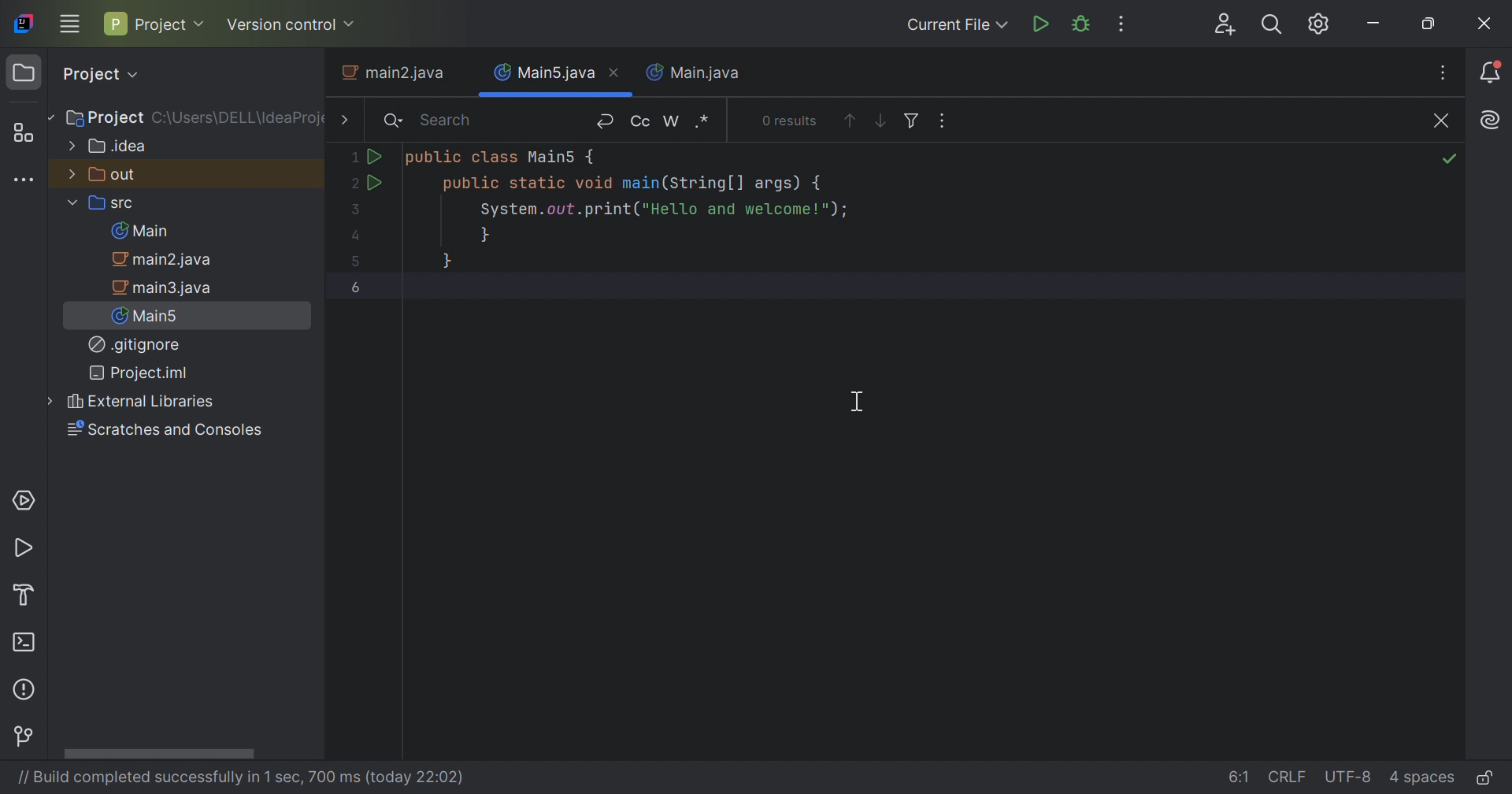  I want to click on go to line, so click(1240, 775).